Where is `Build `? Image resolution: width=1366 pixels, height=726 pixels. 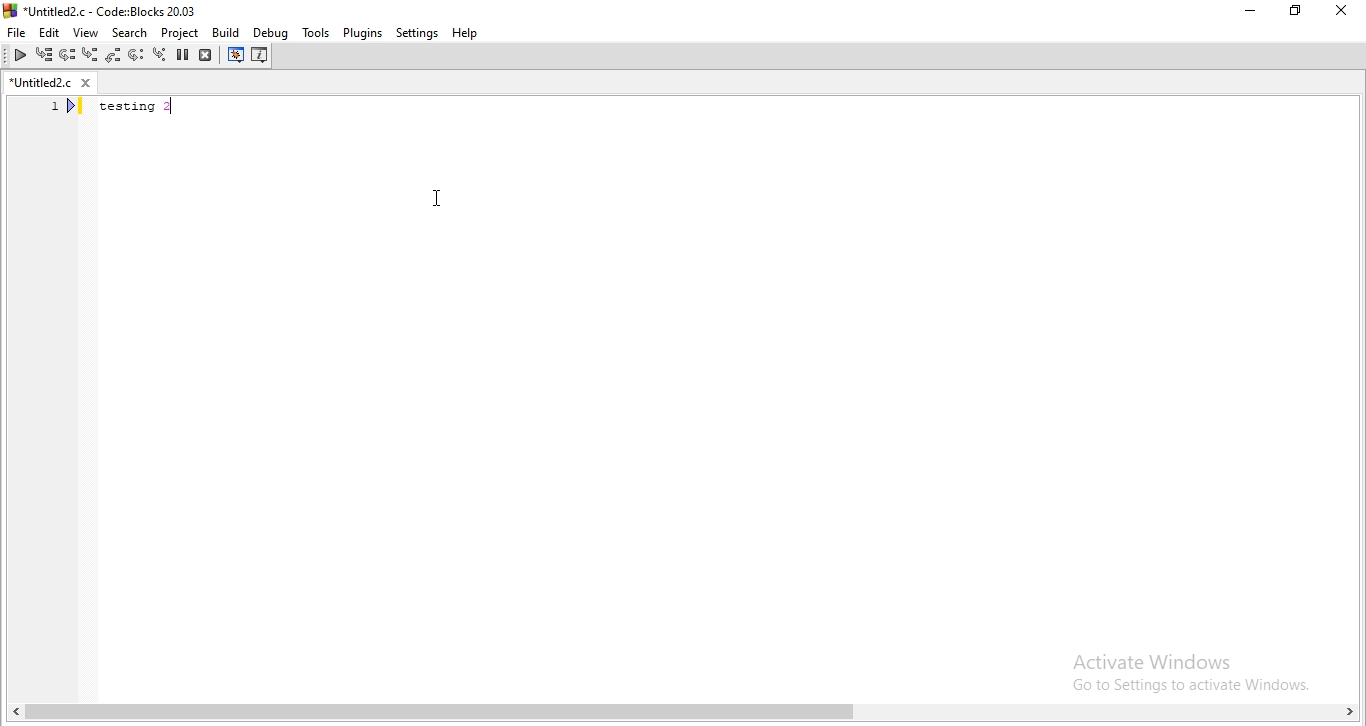
Build  is located at coordinates (226, 33).